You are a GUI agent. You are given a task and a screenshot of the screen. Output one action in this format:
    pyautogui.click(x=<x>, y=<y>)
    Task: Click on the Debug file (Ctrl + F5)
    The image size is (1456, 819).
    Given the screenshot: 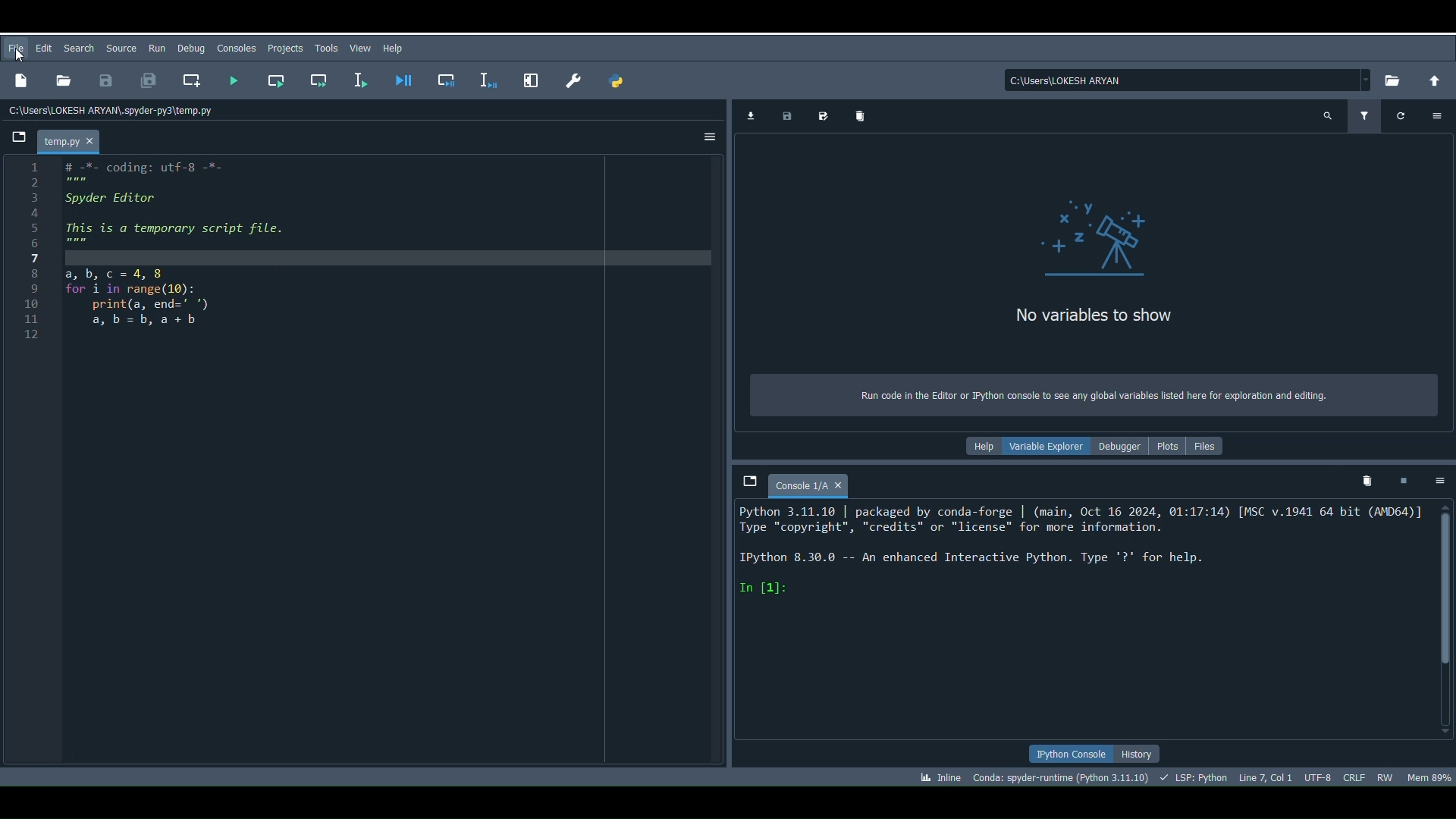 What is the action you would take?
    pyautogui.click(x=404, y=74)
    